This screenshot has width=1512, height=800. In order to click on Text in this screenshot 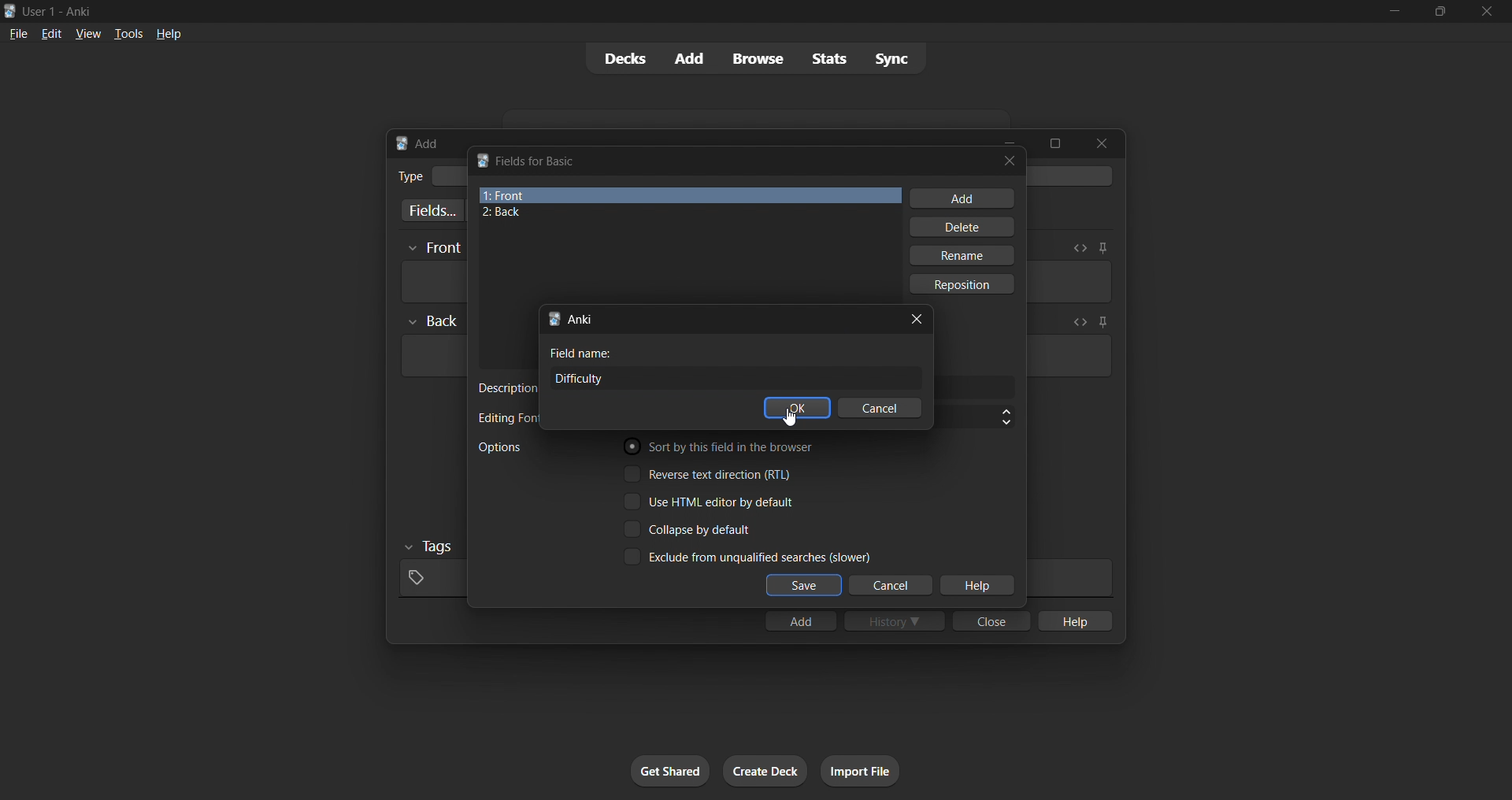, I will do `click(581, 353)`.